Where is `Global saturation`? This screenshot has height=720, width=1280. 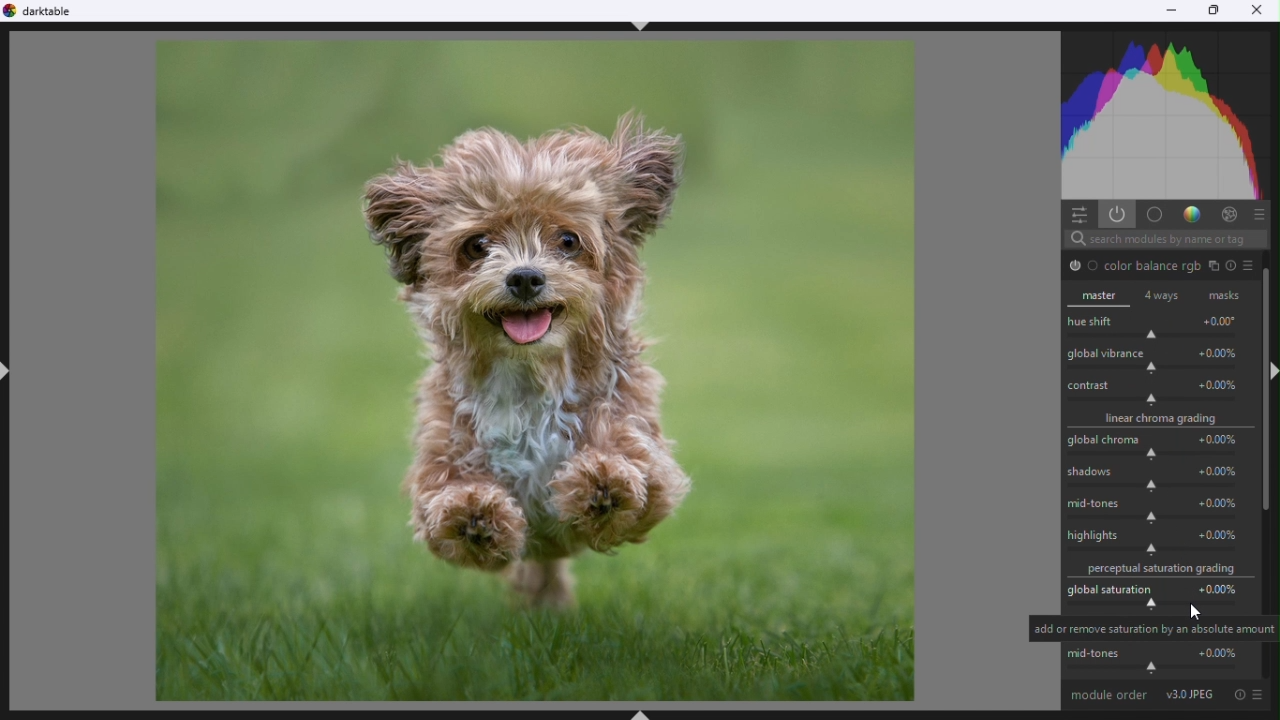
Global saturation is located at coordinates (1160, 599).